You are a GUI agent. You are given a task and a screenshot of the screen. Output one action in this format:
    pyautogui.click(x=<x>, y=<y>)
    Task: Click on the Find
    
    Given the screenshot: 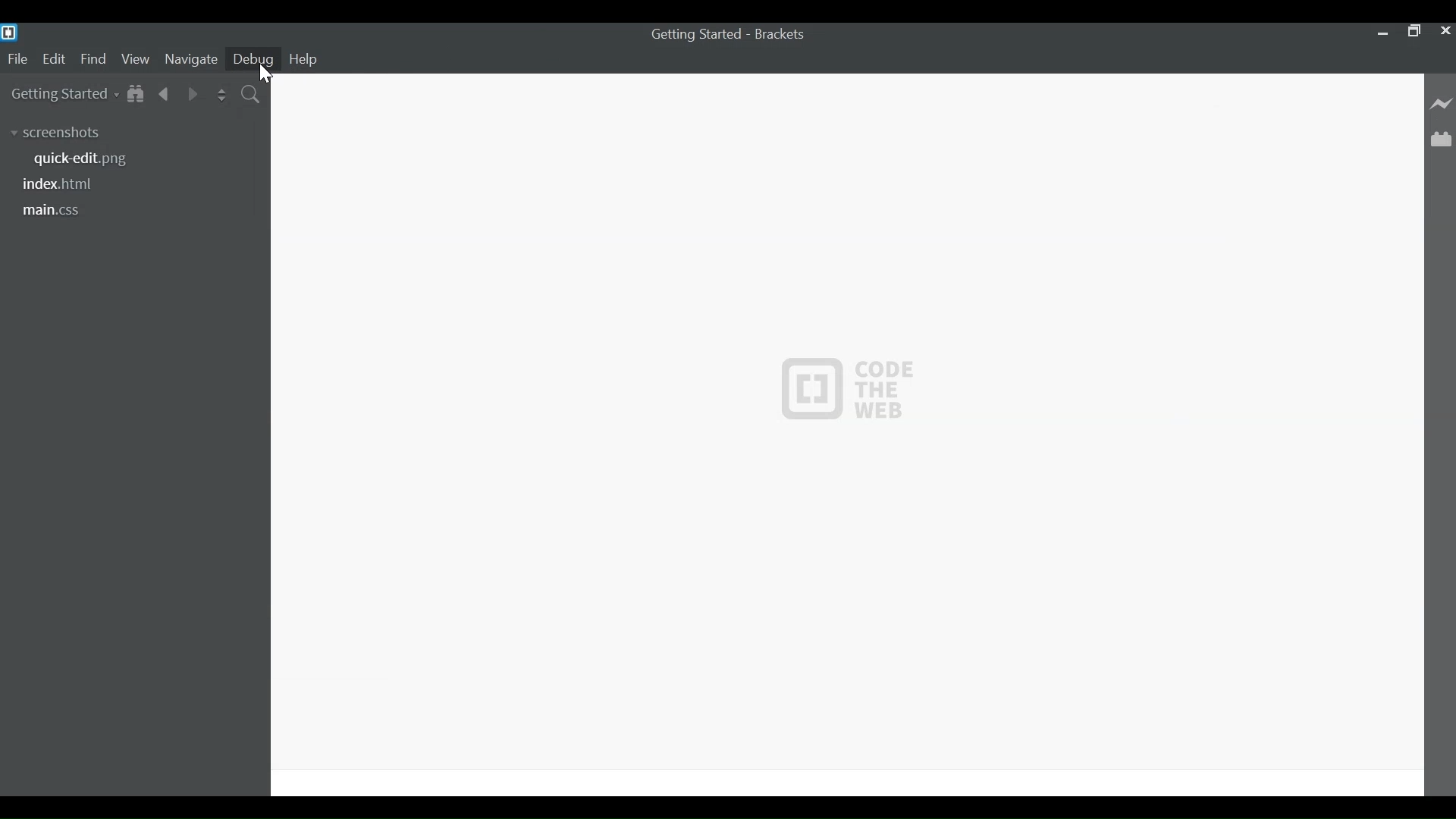 What is the action you would take?
    pyautogui.click(x=95, y=60)
    